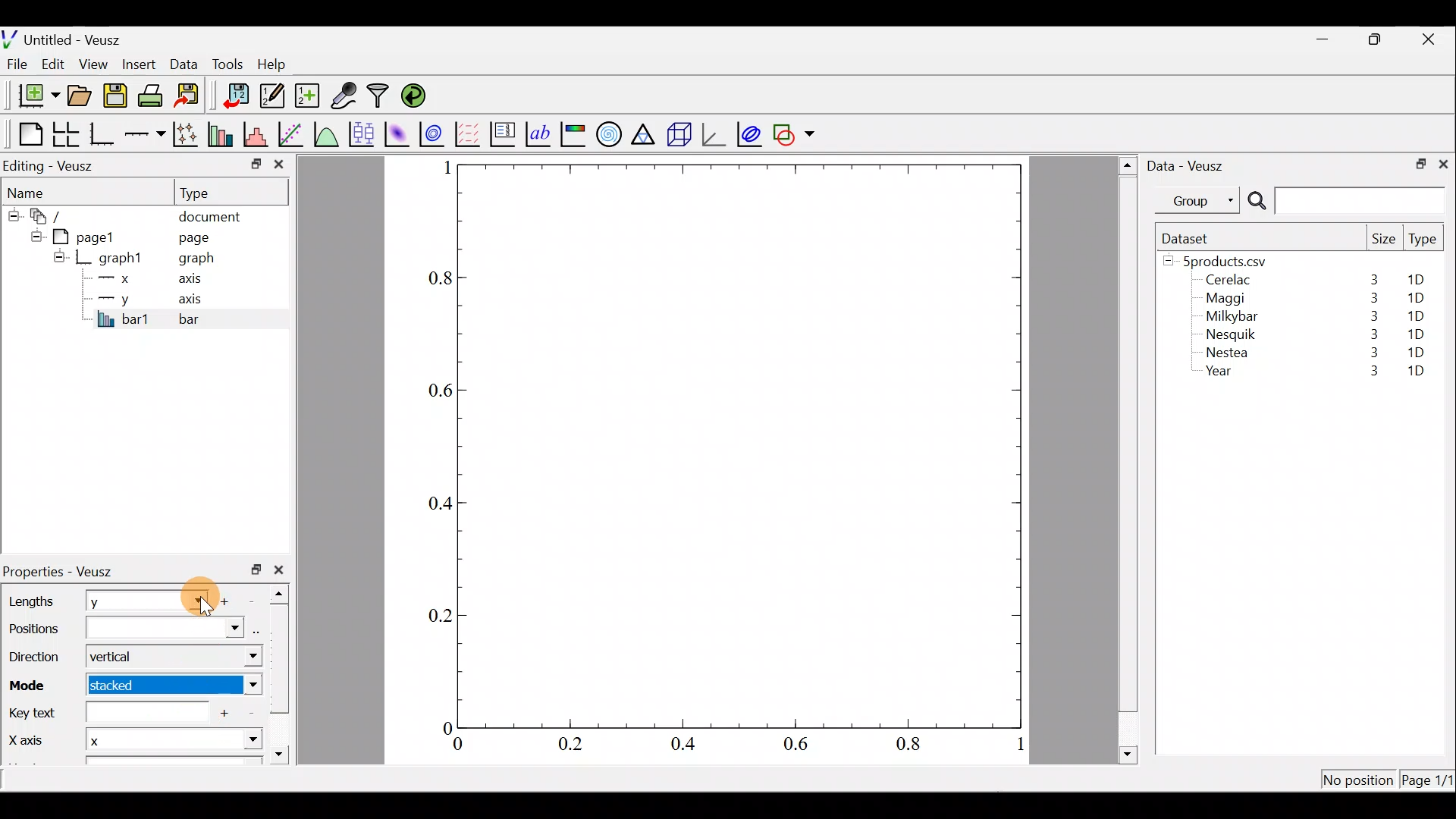 The height and width of the screenshot is (819, 1456). What do you see at coordinates (435, 133) in the screenshot?
I see `Plot a 2d dataset as contours` at bounding box center [435, 133].